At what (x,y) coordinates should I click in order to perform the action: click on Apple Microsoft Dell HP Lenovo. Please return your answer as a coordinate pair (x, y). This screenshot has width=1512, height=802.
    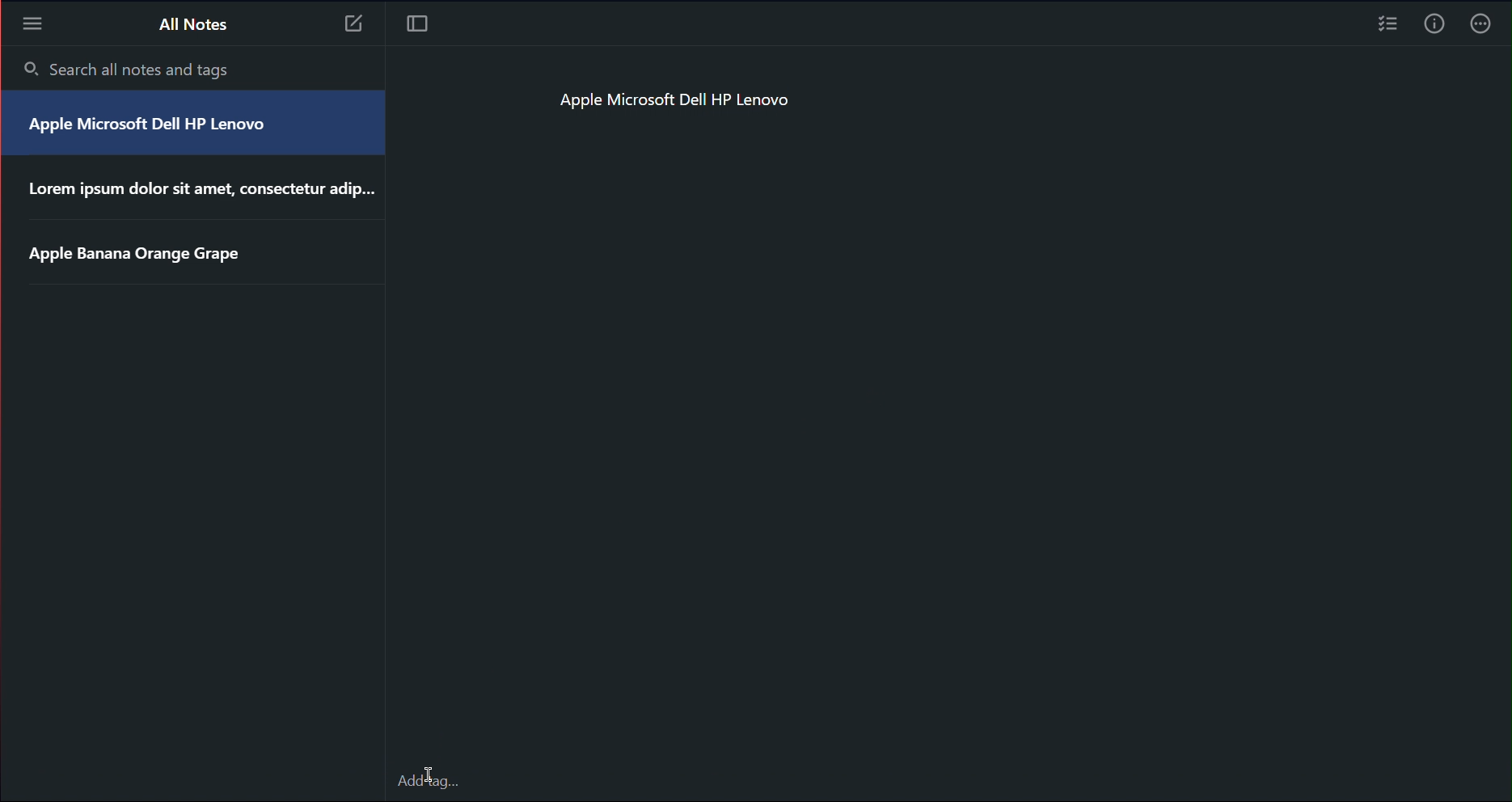
    Looking at the image, I should click on (154, 123).